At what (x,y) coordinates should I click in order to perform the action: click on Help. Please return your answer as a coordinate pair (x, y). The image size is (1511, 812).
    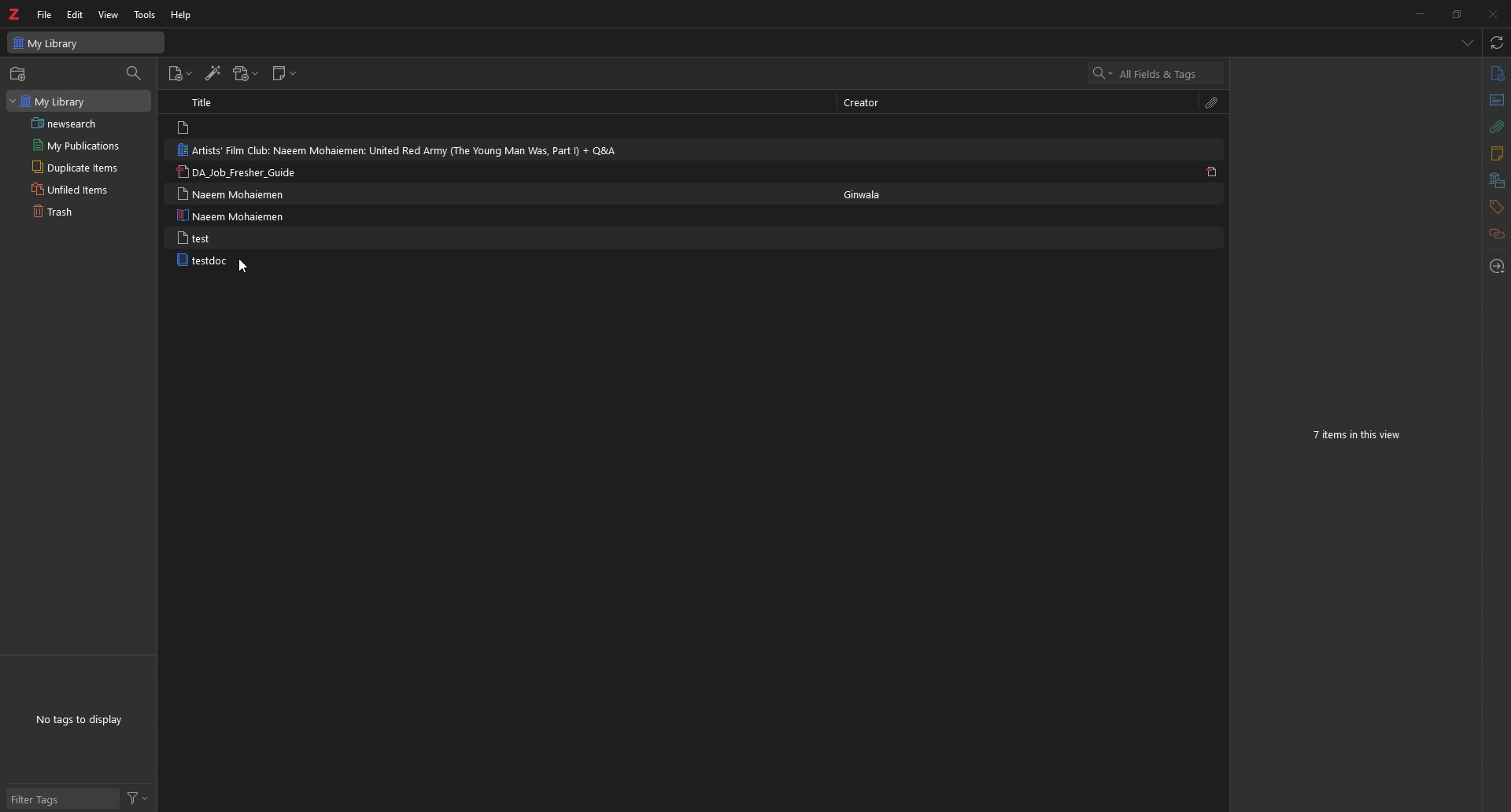
    Looking at the image, I should click on (183, 16).